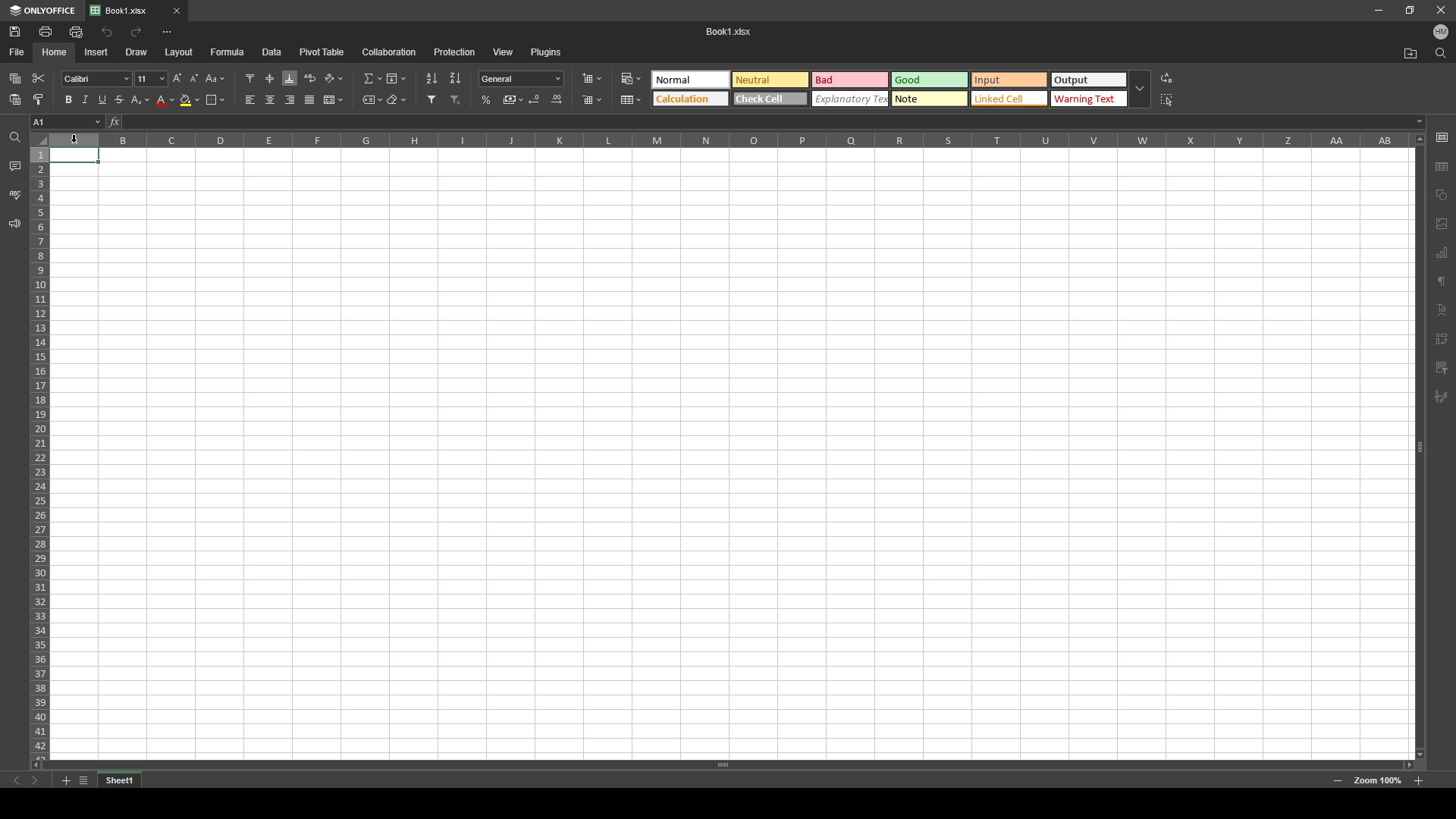  Describe the element at coordinates (55, 52) in the screenshot. I see `home` at that location.